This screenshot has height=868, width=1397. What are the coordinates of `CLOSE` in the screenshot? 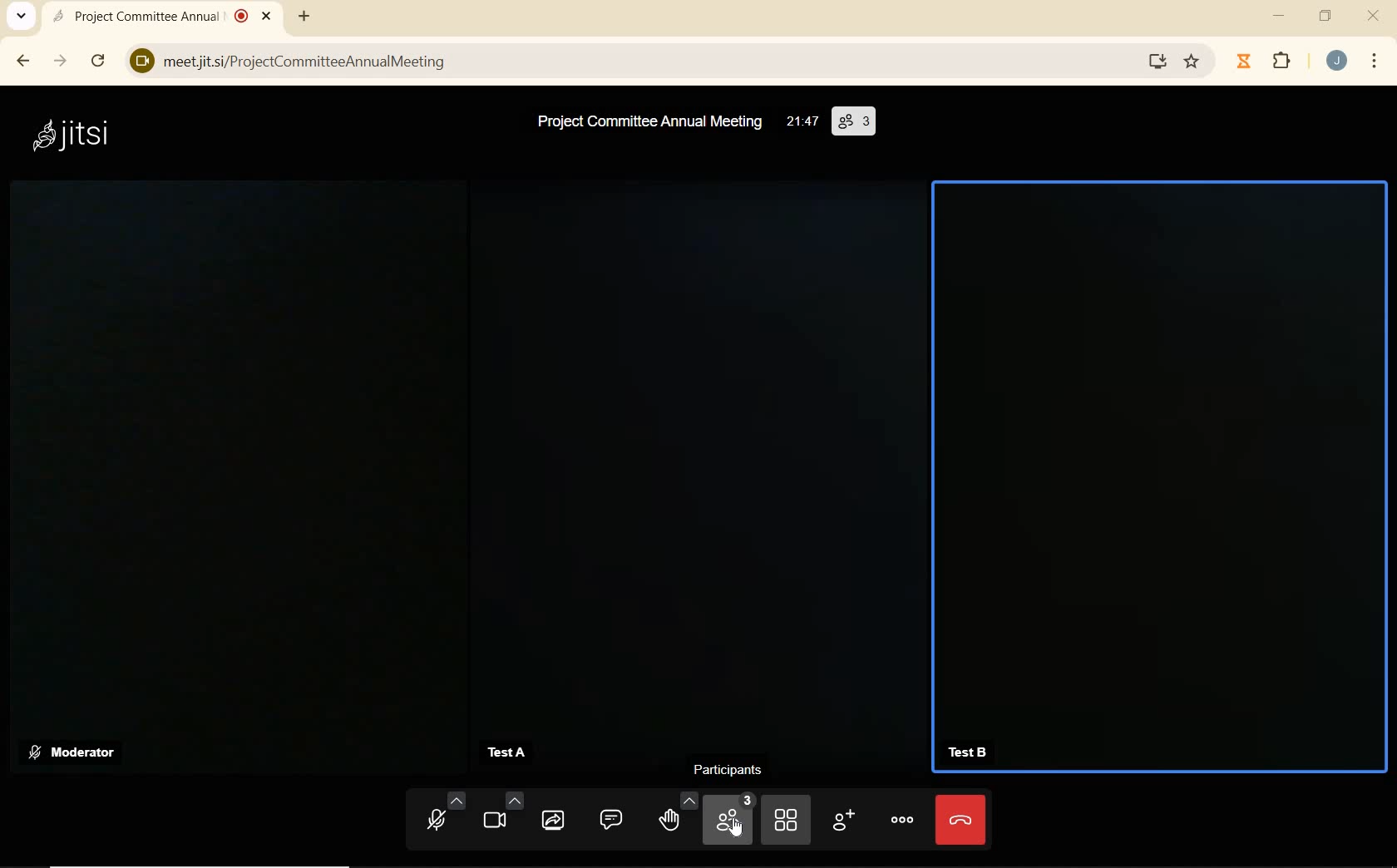 It's located at (1375, 16).